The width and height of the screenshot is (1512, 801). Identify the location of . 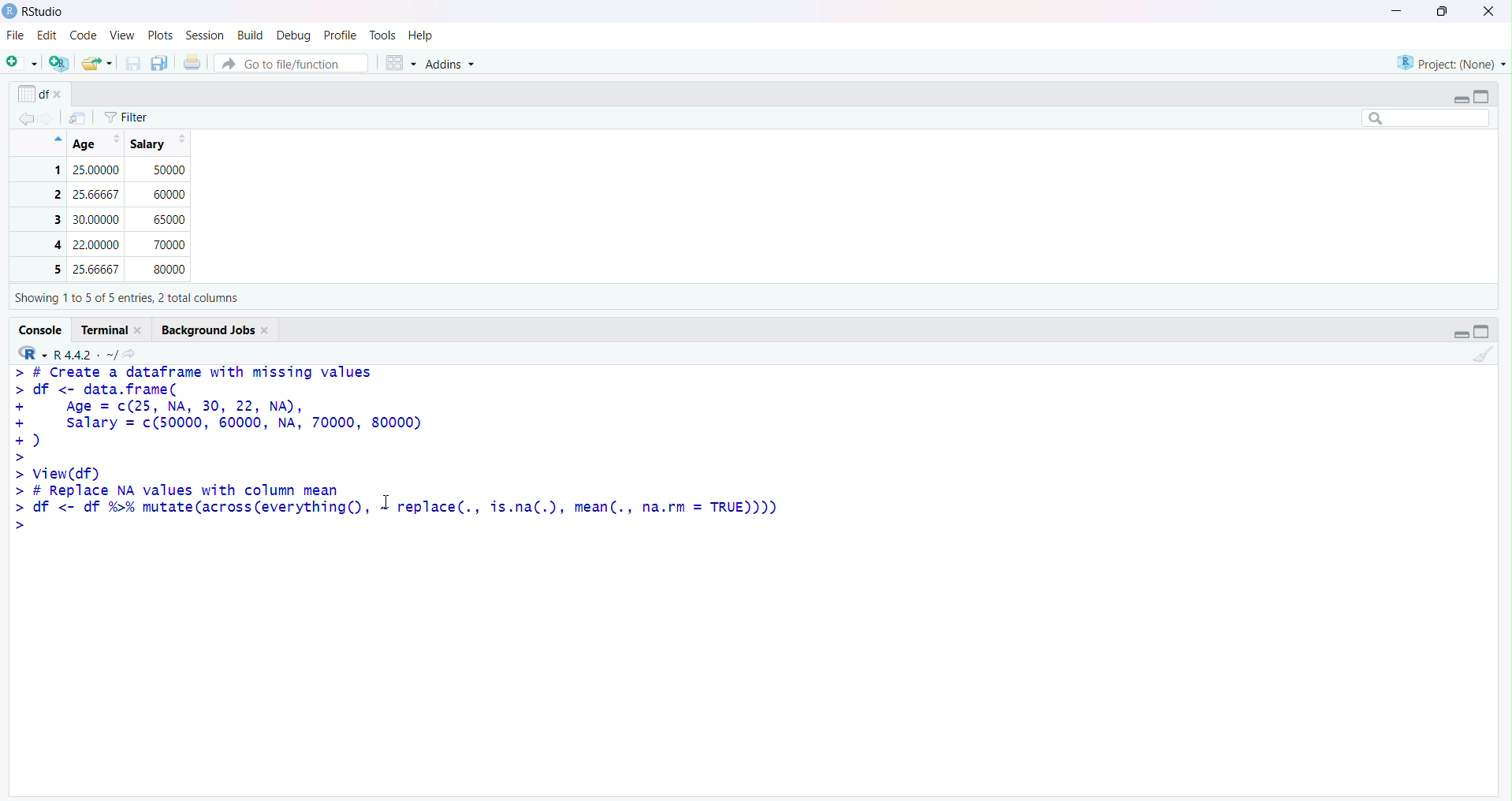
(289, 60).